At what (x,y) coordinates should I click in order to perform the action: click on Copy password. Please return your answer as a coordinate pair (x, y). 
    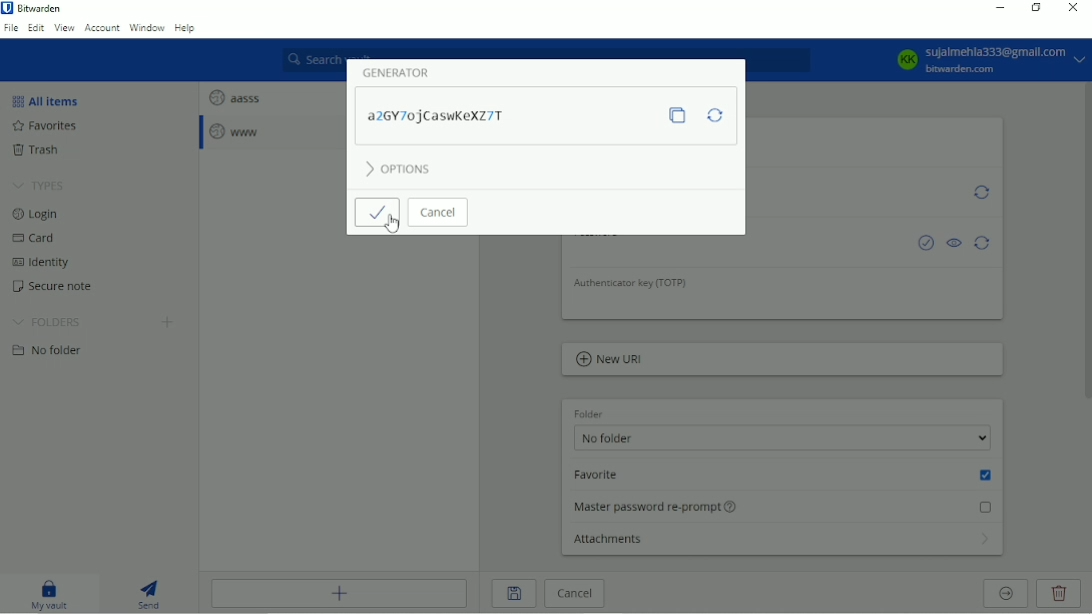
    Looking at the image, I should click on (679, 115).